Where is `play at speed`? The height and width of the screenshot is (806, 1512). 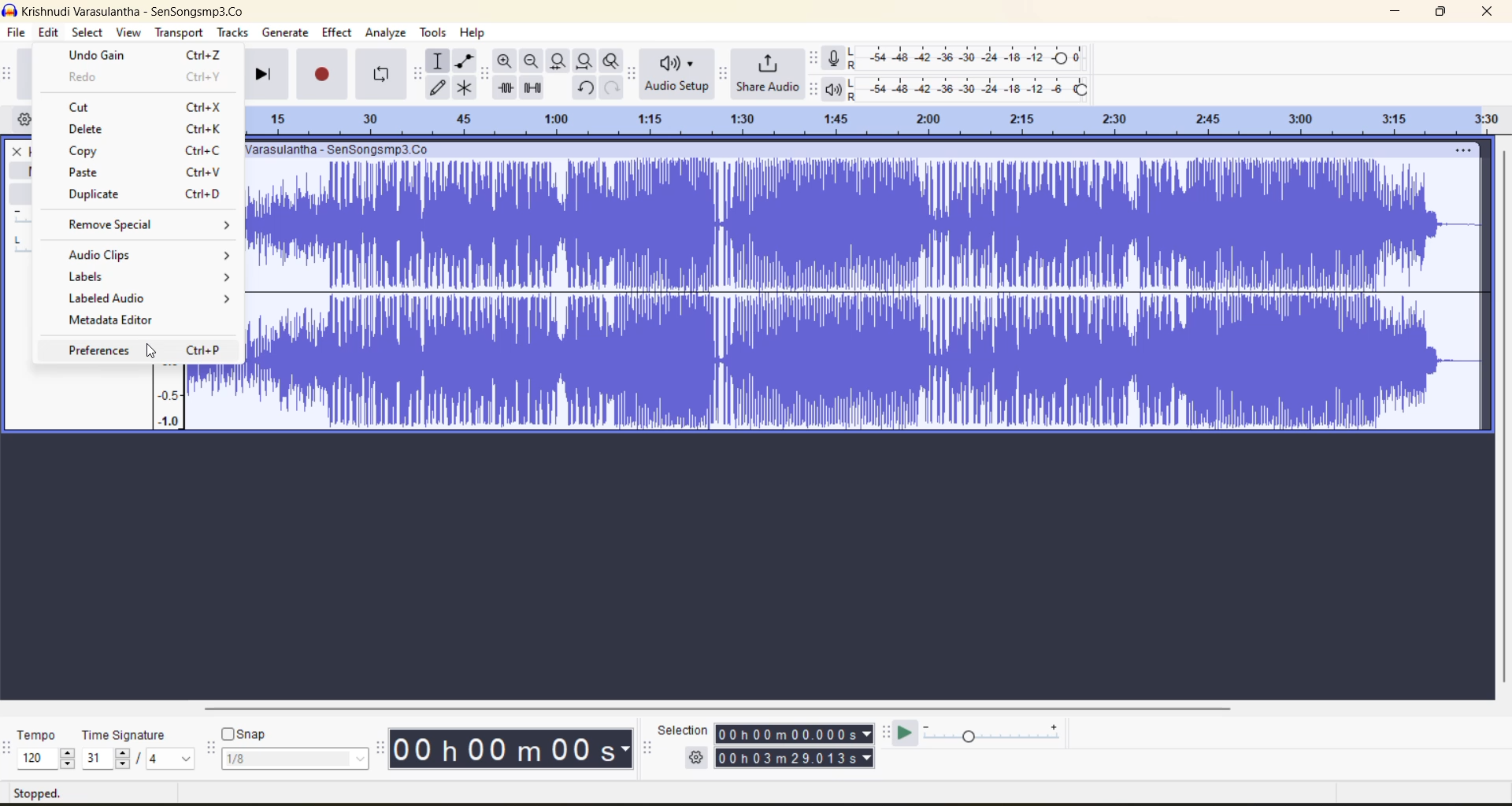 play at speed is located at coordinates (910, 732).